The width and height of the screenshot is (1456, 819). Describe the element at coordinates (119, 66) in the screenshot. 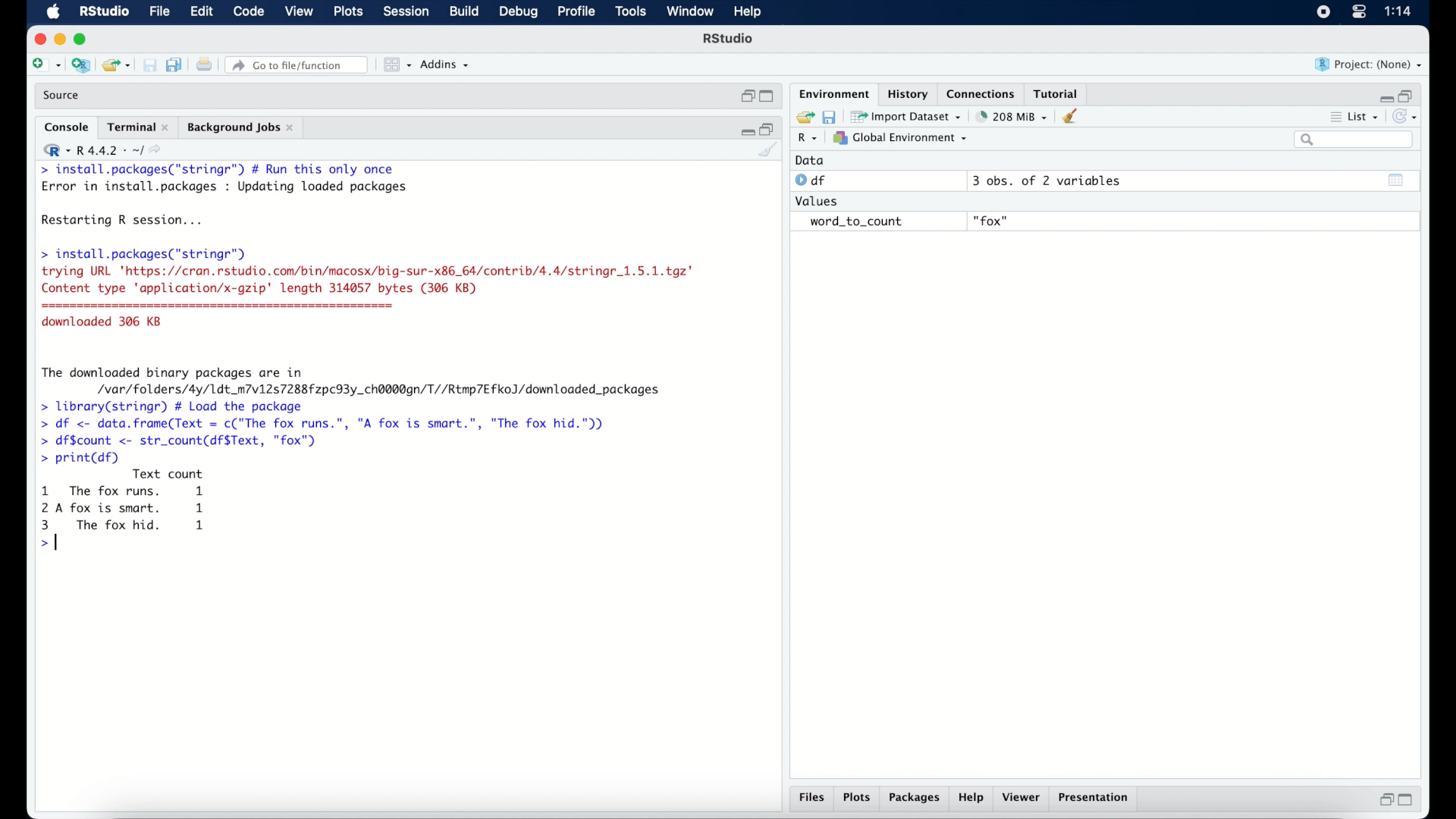

I see `load existing project` at that location.